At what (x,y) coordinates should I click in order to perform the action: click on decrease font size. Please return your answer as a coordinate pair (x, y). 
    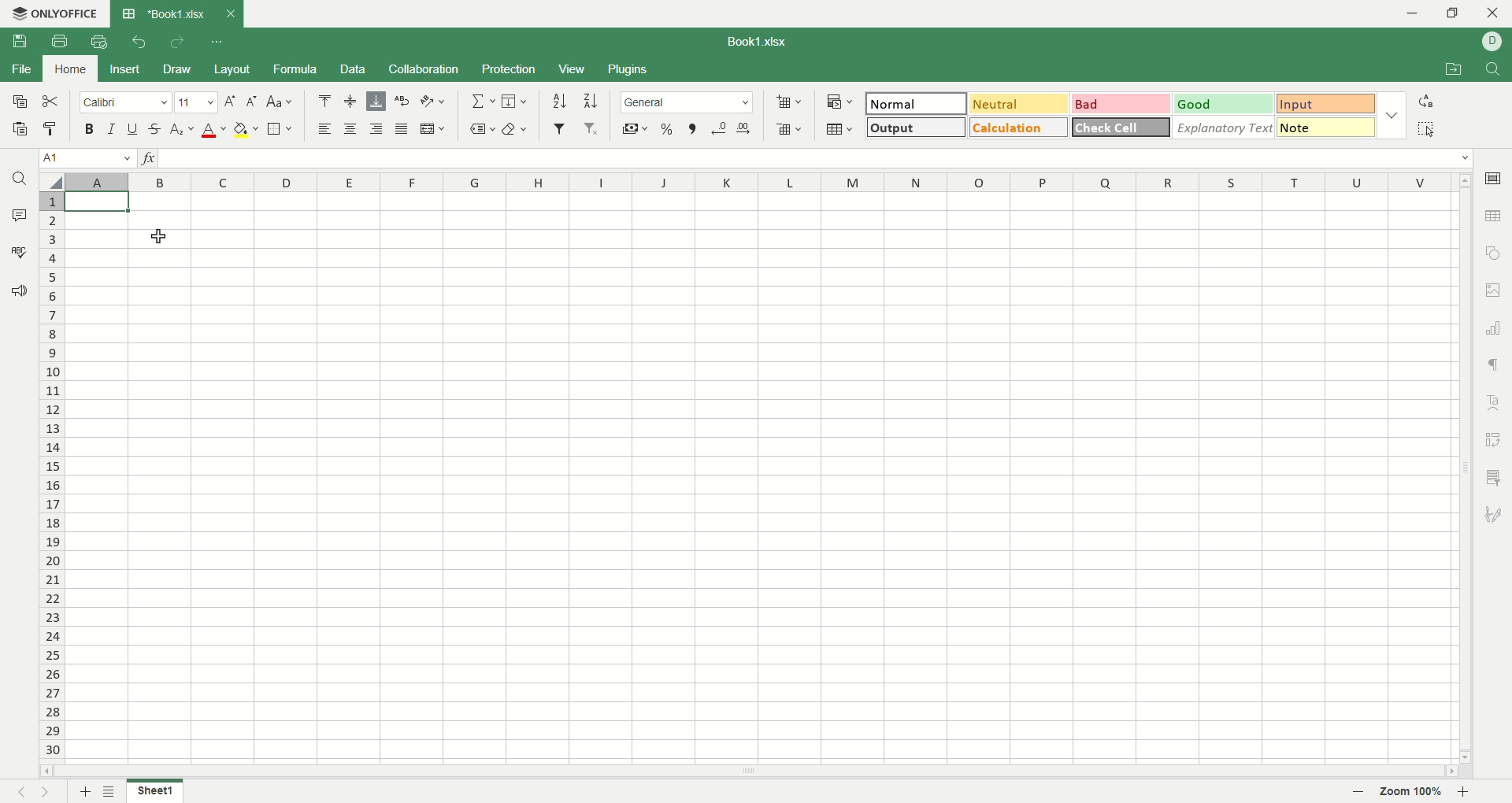
    Looking at the image, I should click on (252, 102).